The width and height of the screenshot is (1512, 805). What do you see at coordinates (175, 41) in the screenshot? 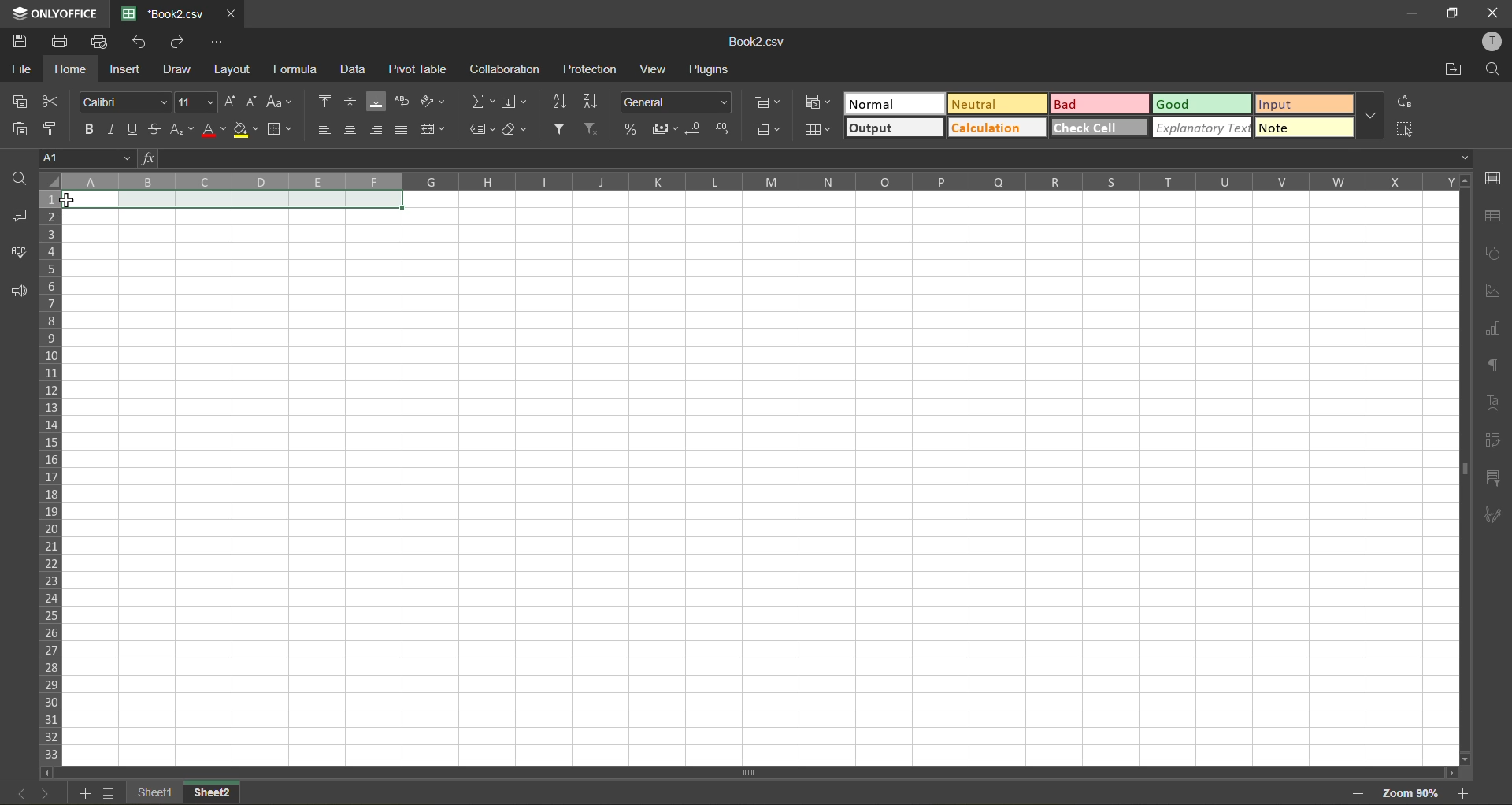
I see `redo` at bounding box center [175, 41].